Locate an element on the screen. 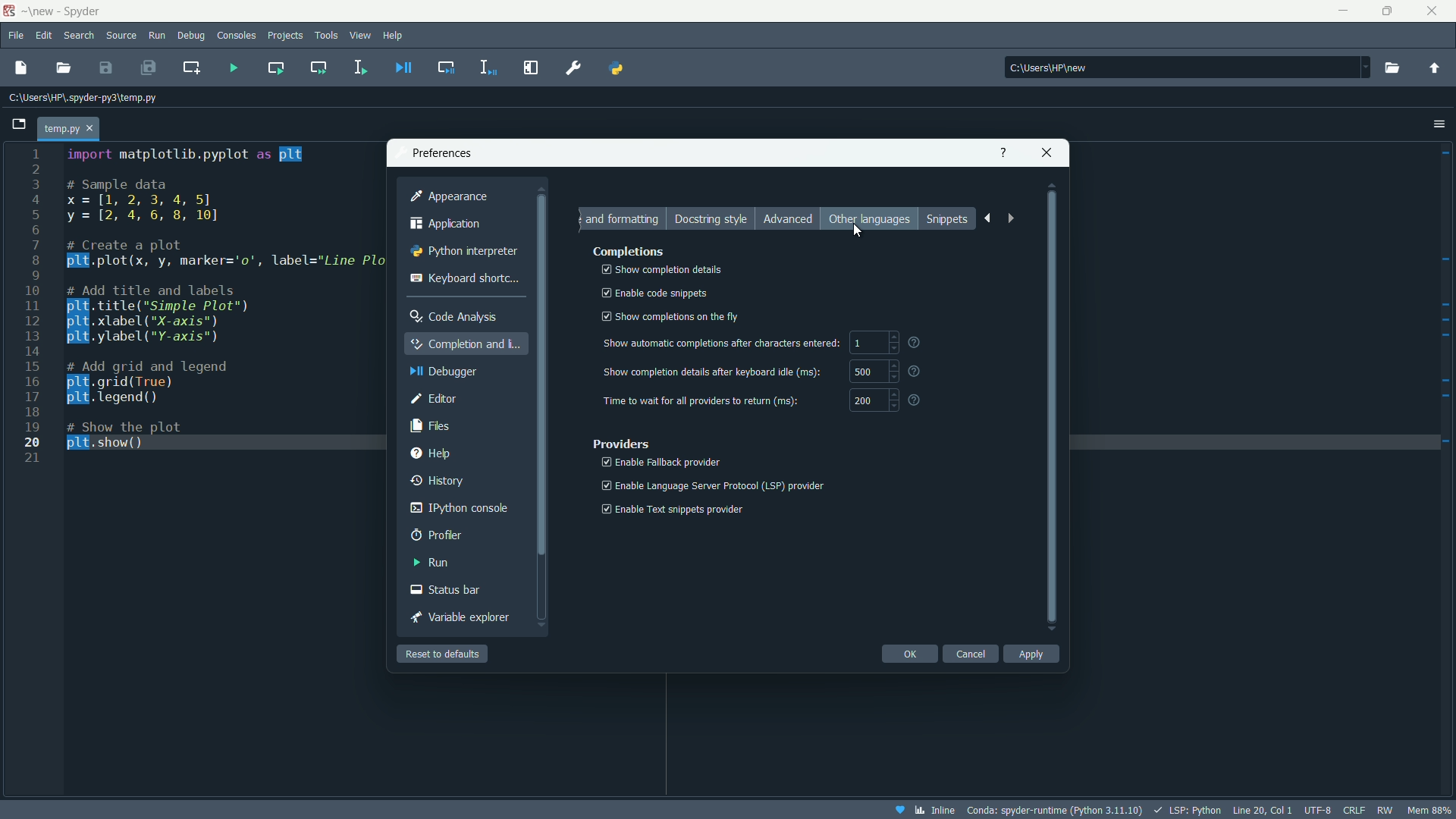 This screenshot has height=819, width=1456. debug selection is located at coordinates (489, 67).